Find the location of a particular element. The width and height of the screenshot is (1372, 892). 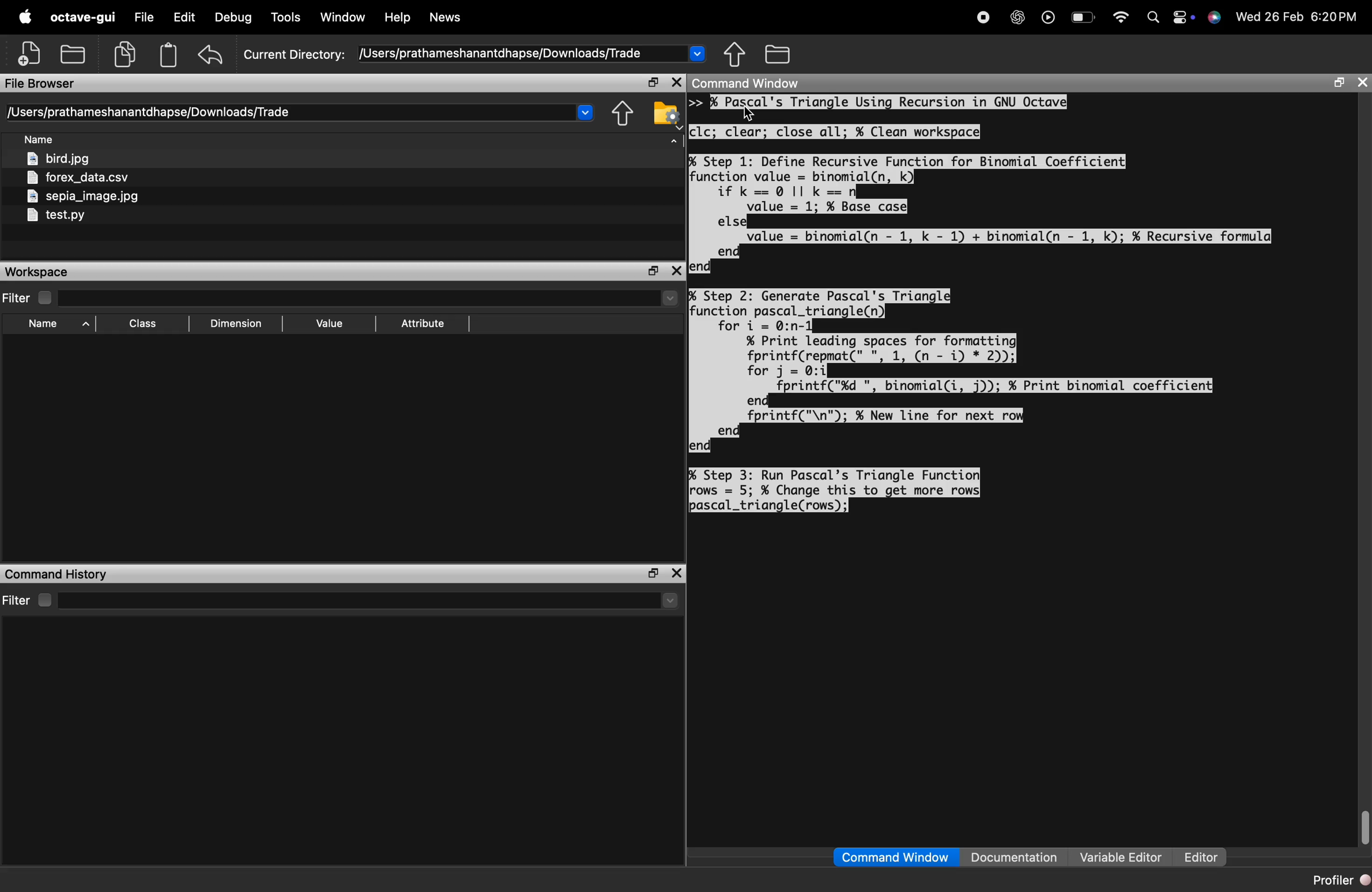

Help is located at coordinates (398, 17).